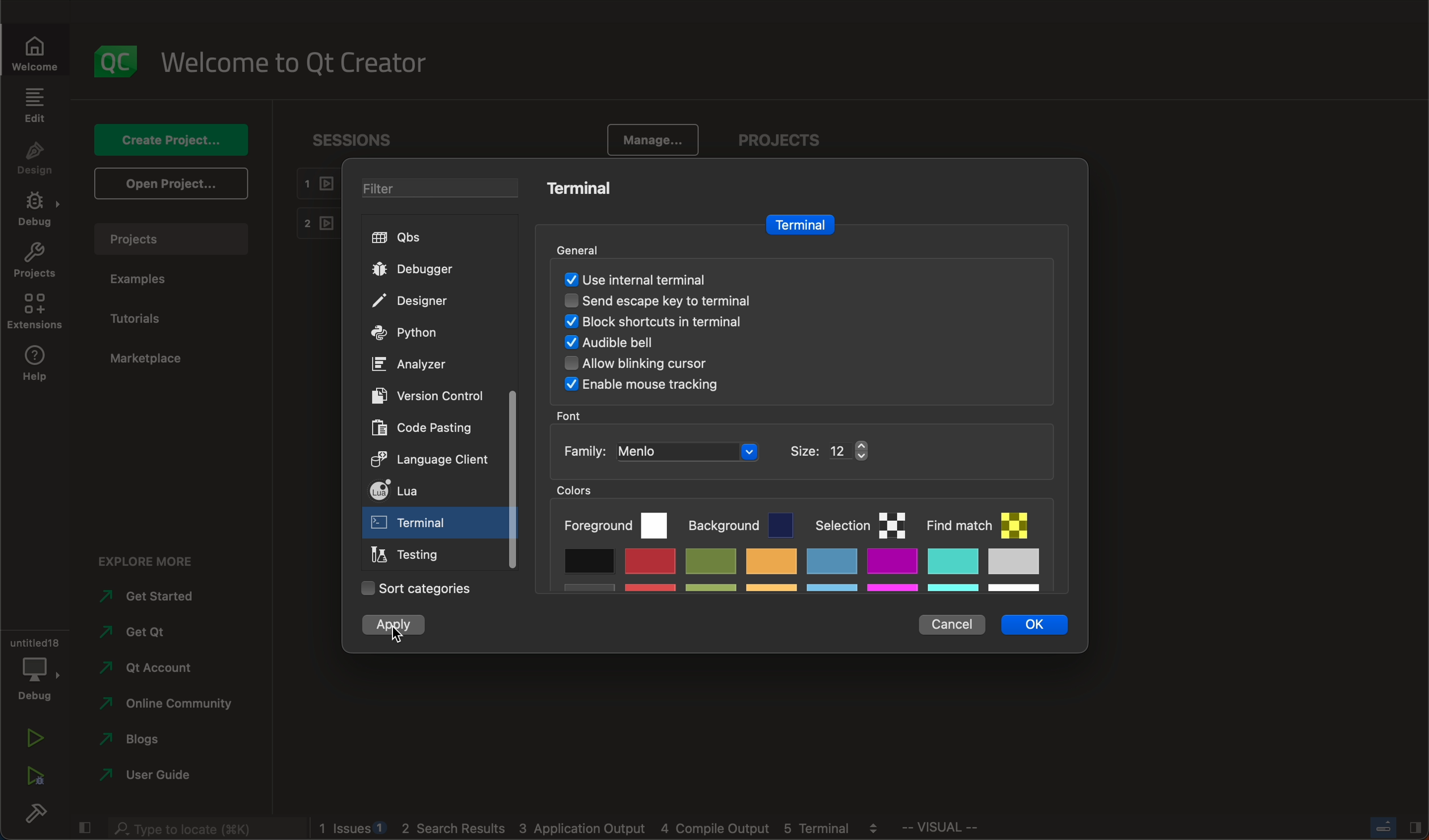 The height and width of the screenshot is (840, 1429). What do you see at coordinates (173, 703) in the screenshot?
I see `community` at bounding box center [173, 703].